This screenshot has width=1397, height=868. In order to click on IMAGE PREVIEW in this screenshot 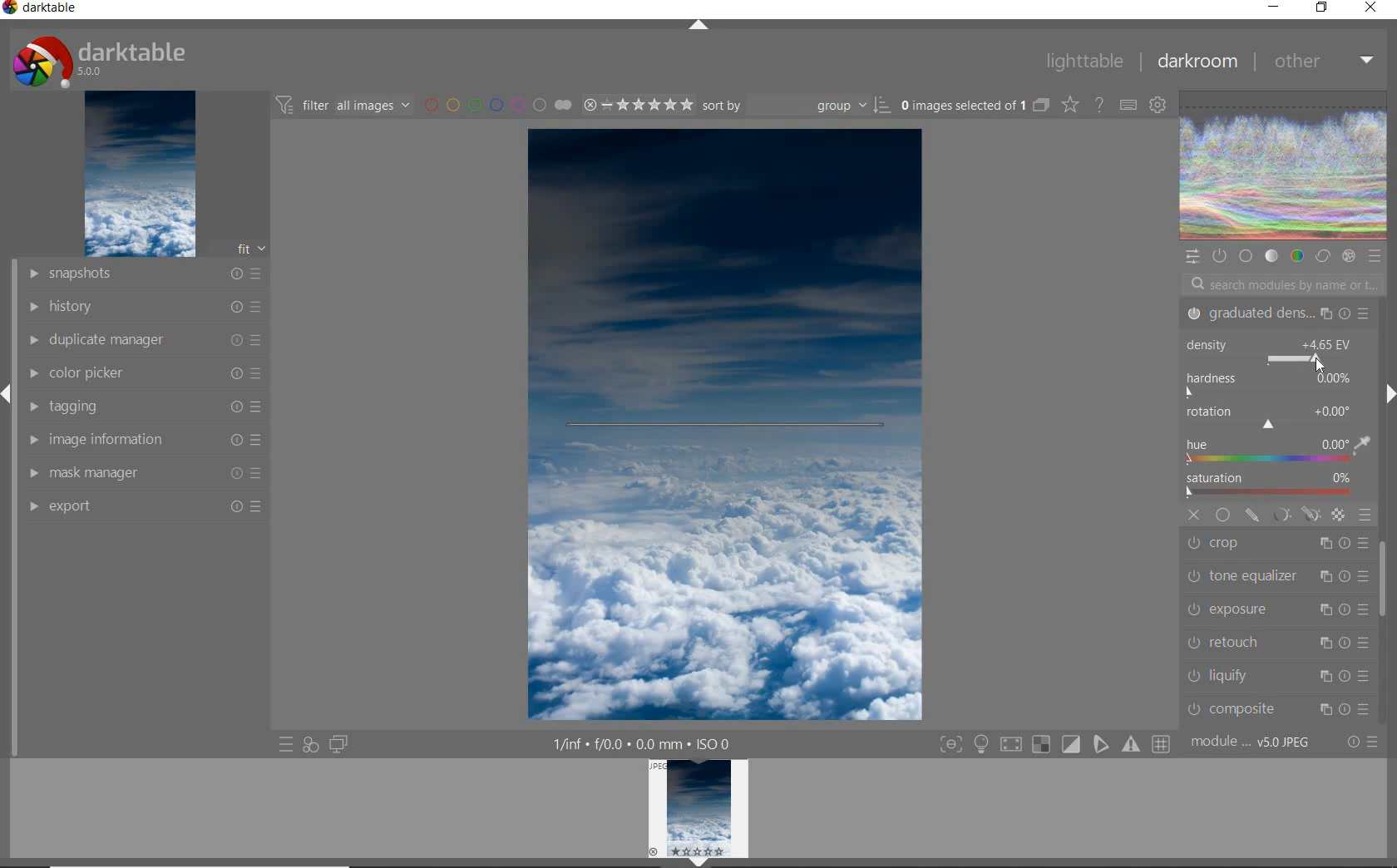, I will do `click(698, 807)`.